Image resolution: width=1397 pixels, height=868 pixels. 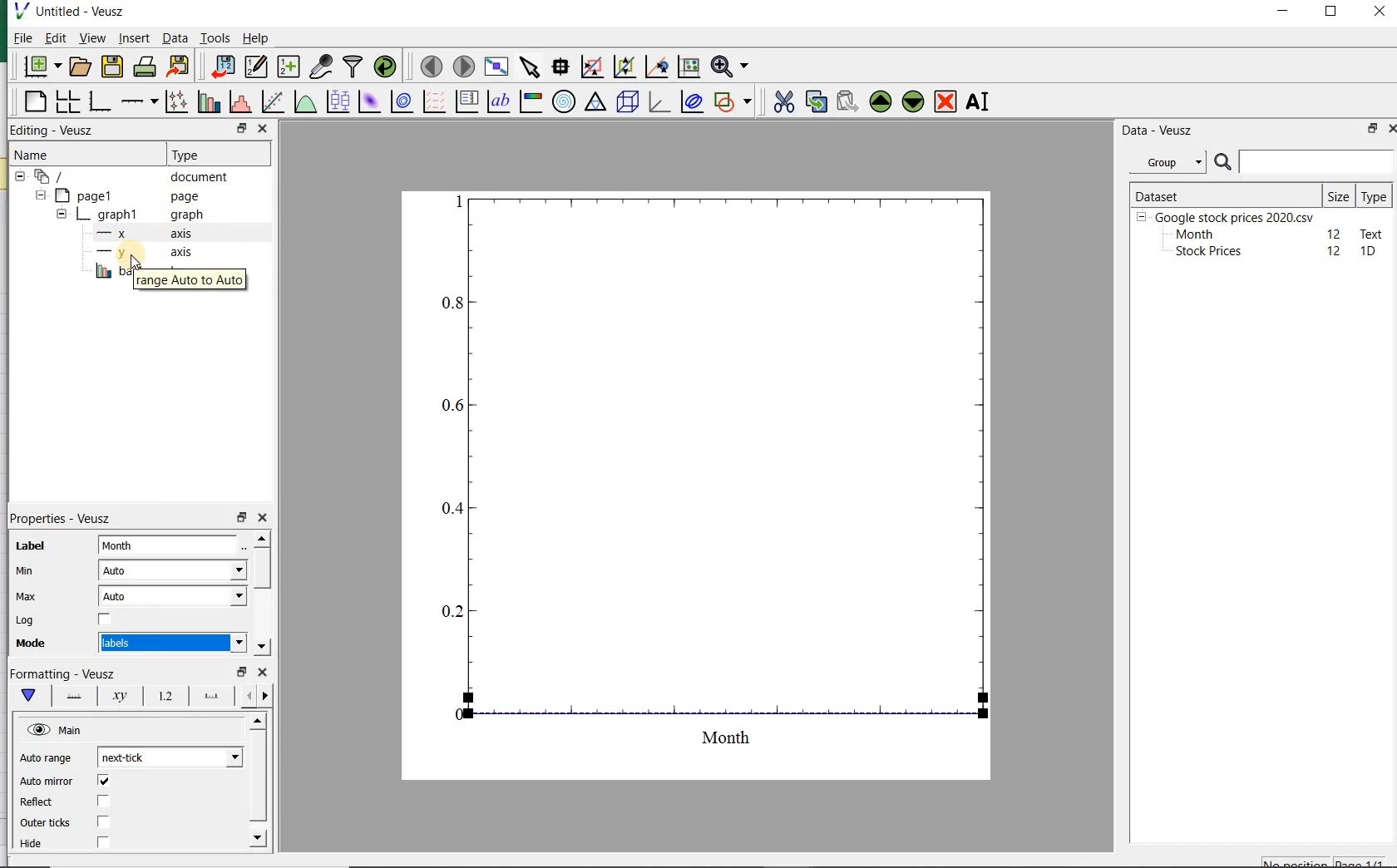 I want to click on ternary graph, so click(x=595, y=103).